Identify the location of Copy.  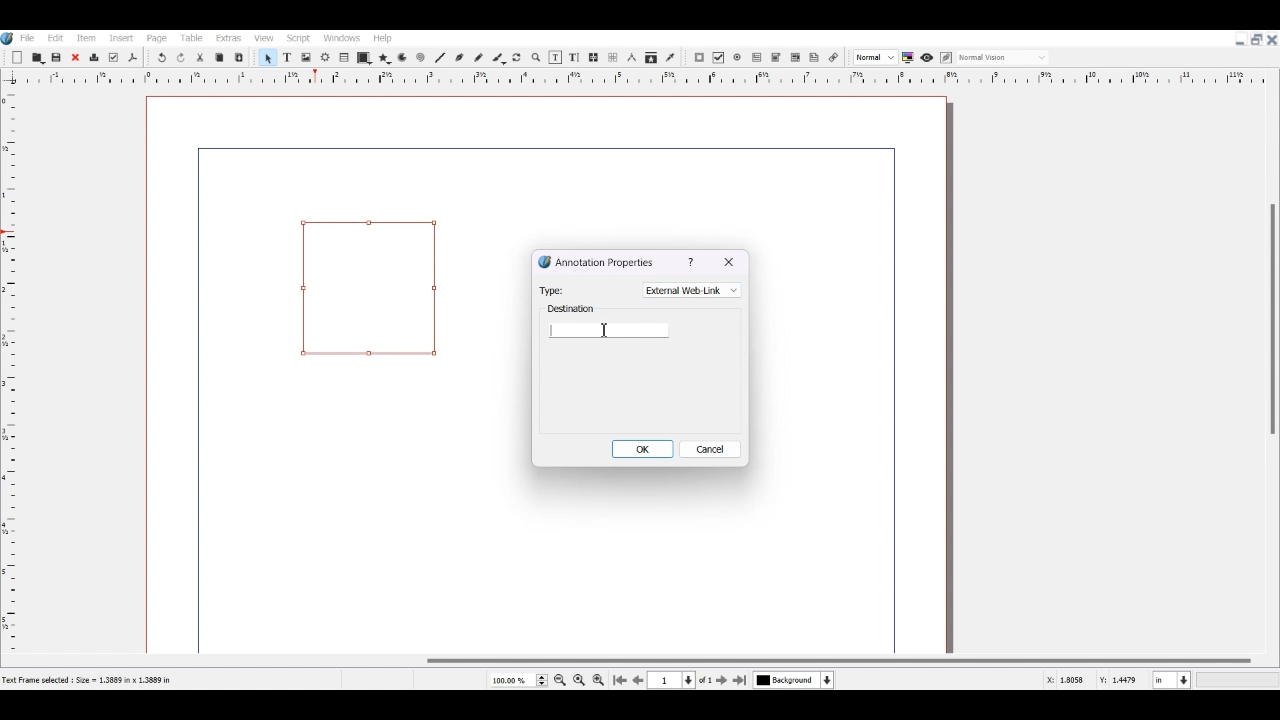
(218, 57).